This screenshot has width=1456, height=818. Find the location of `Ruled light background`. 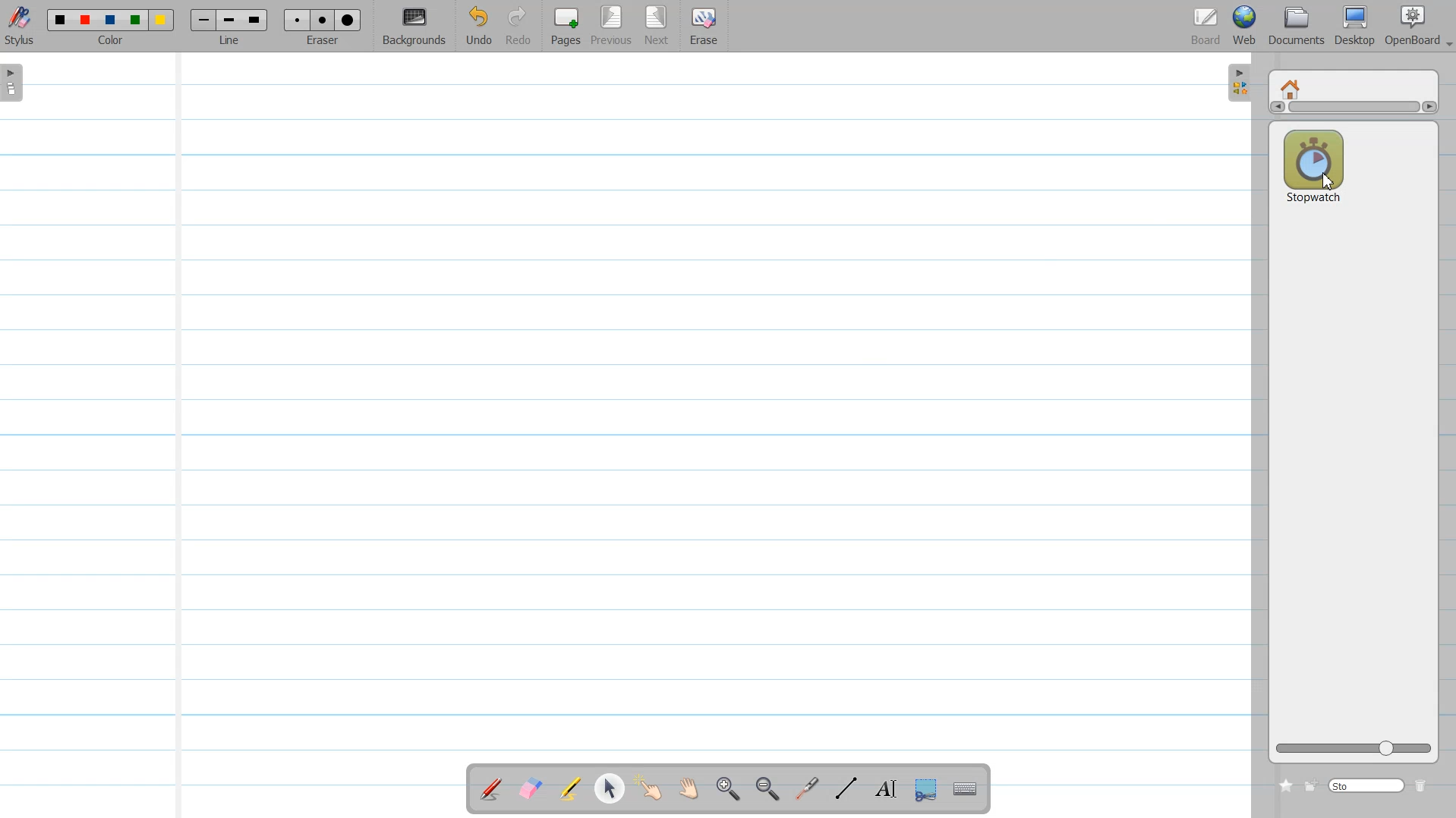

Ruled light background is located at coordinates (627, 411).